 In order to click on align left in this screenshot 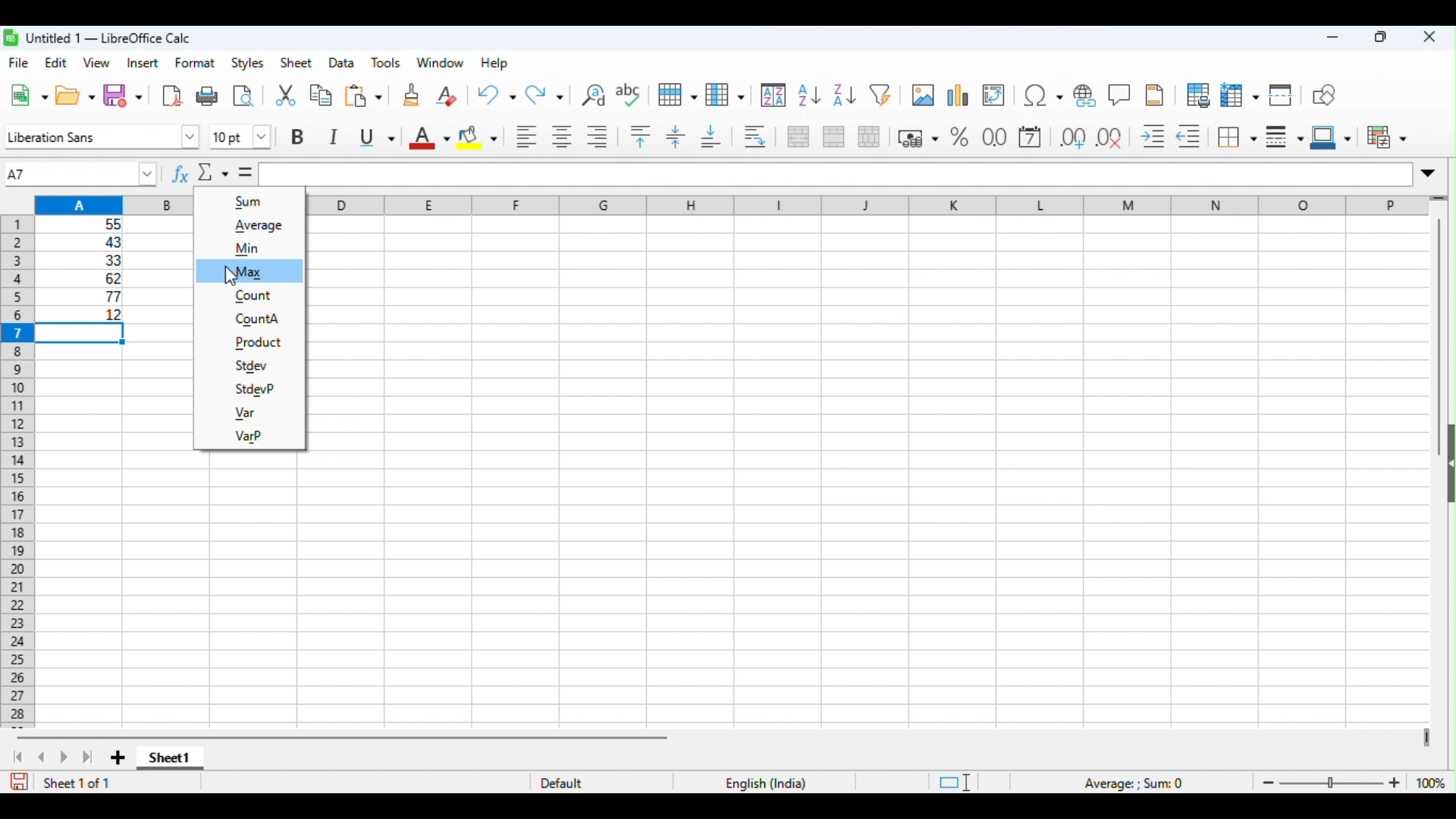, I will do `click(527, 137)`.